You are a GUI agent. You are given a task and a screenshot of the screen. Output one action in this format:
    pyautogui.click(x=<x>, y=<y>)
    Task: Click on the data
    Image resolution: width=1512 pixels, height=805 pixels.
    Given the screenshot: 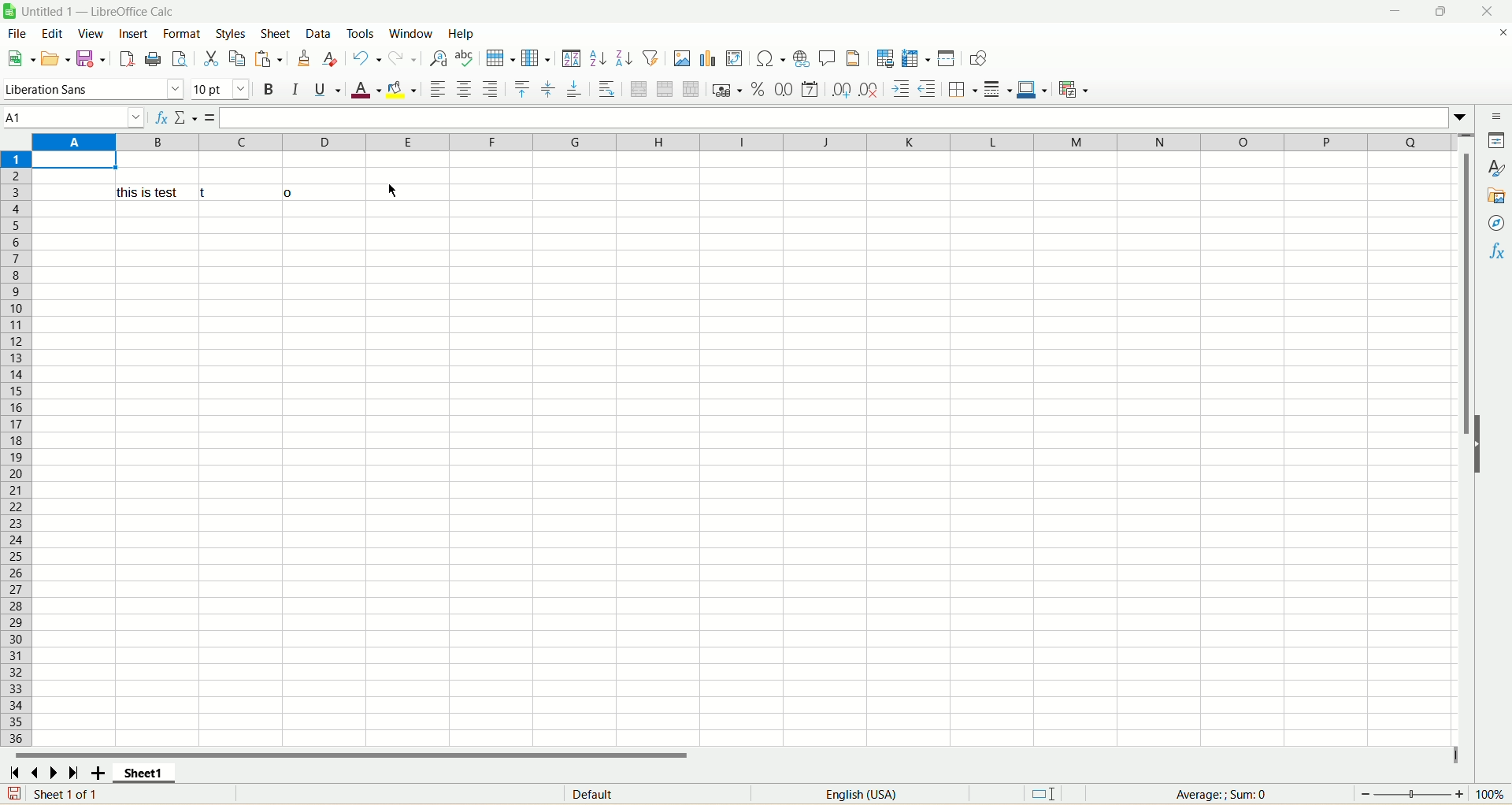 What is the action you would take?
    pyautogui.click(x=322, y=35)
    